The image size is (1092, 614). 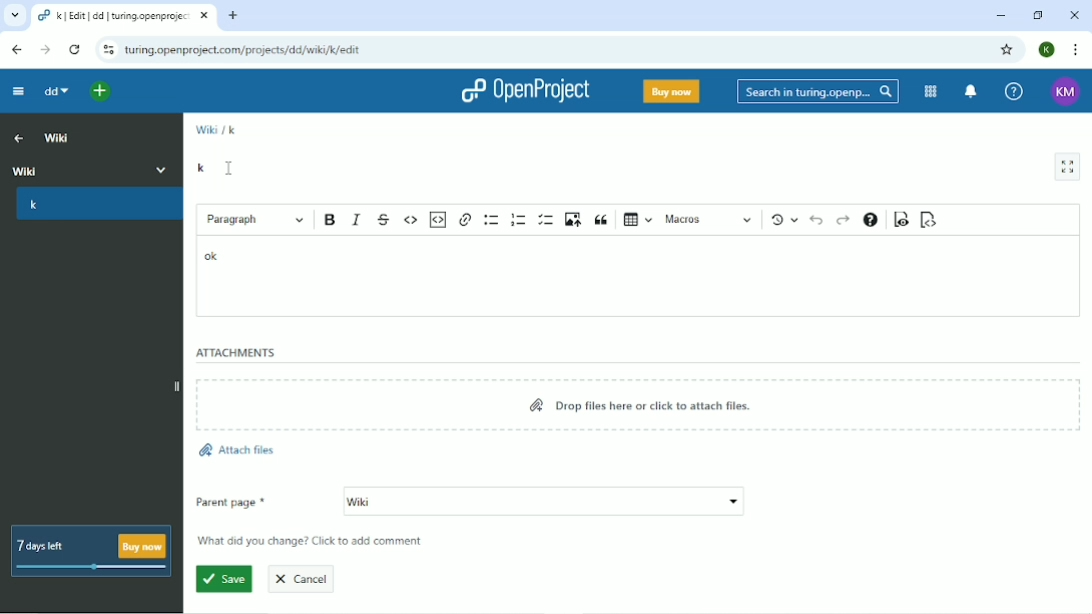 I want to click on Numbered list, so click(x=516, y=219).